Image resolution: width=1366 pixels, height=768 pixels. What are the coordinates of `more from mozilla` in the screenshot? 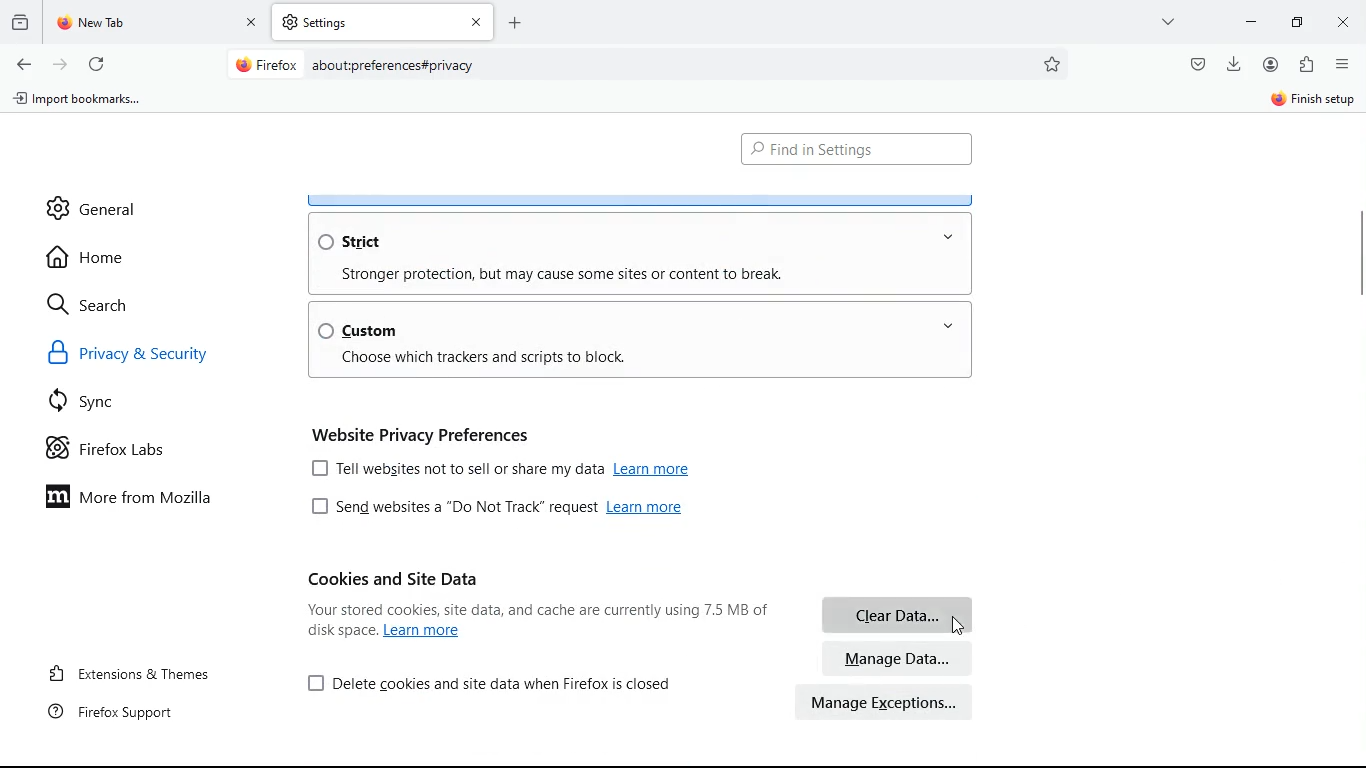 It's located at (146, 500).